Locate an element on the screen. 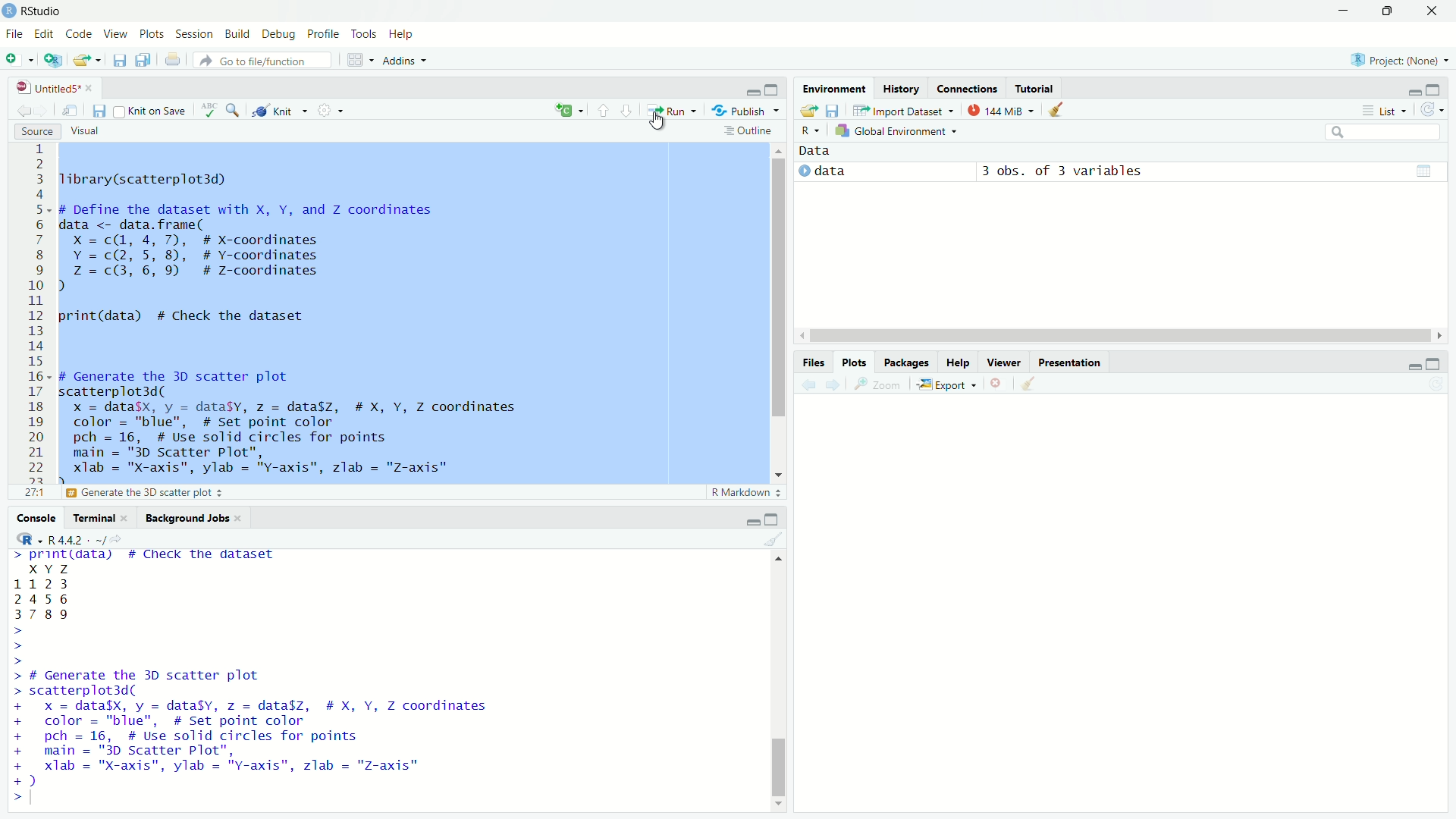  scrollbar is located at coordinates (780, 682).